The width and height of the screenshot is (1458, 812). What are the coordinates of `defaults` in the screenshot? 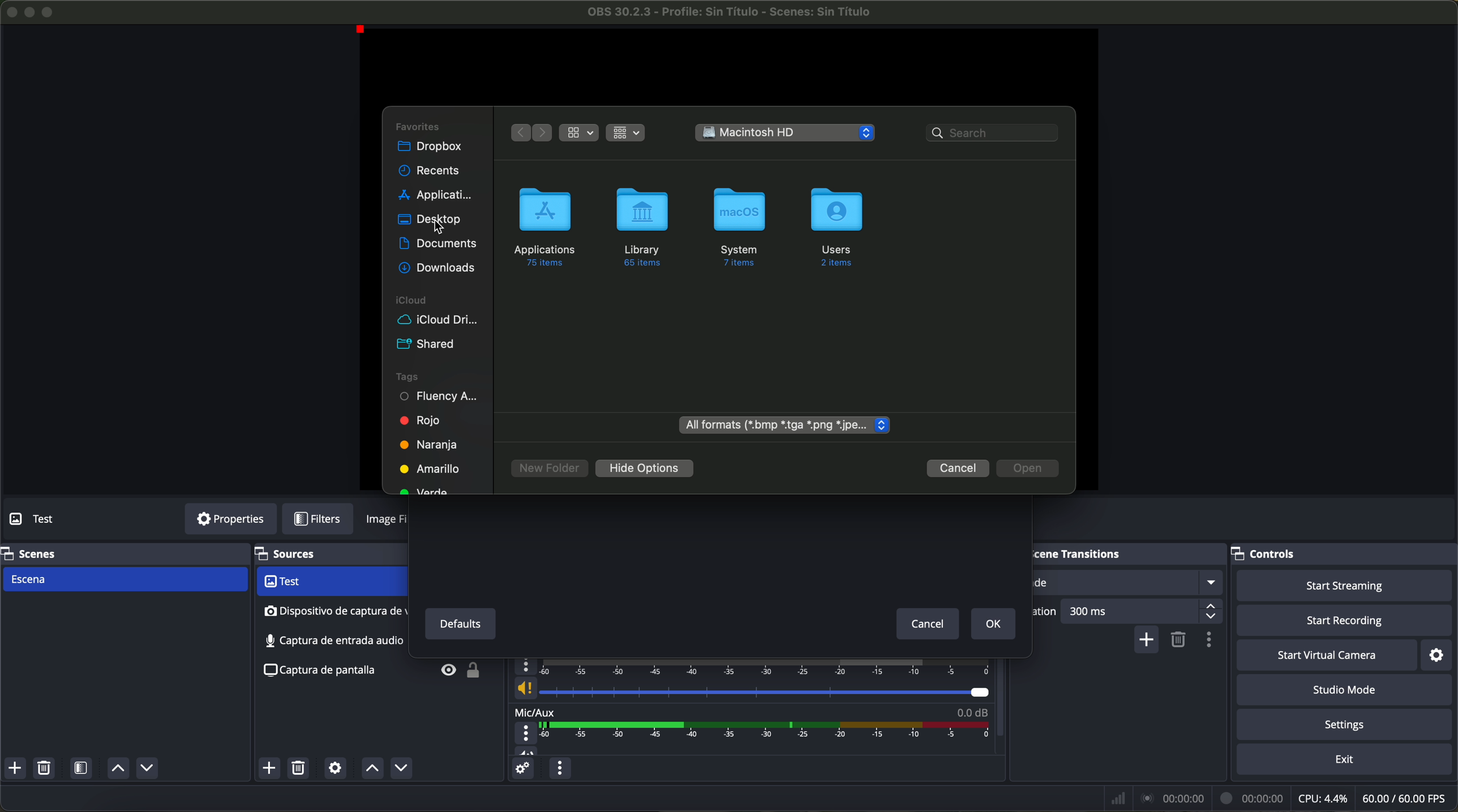 It's located at (459, 624).